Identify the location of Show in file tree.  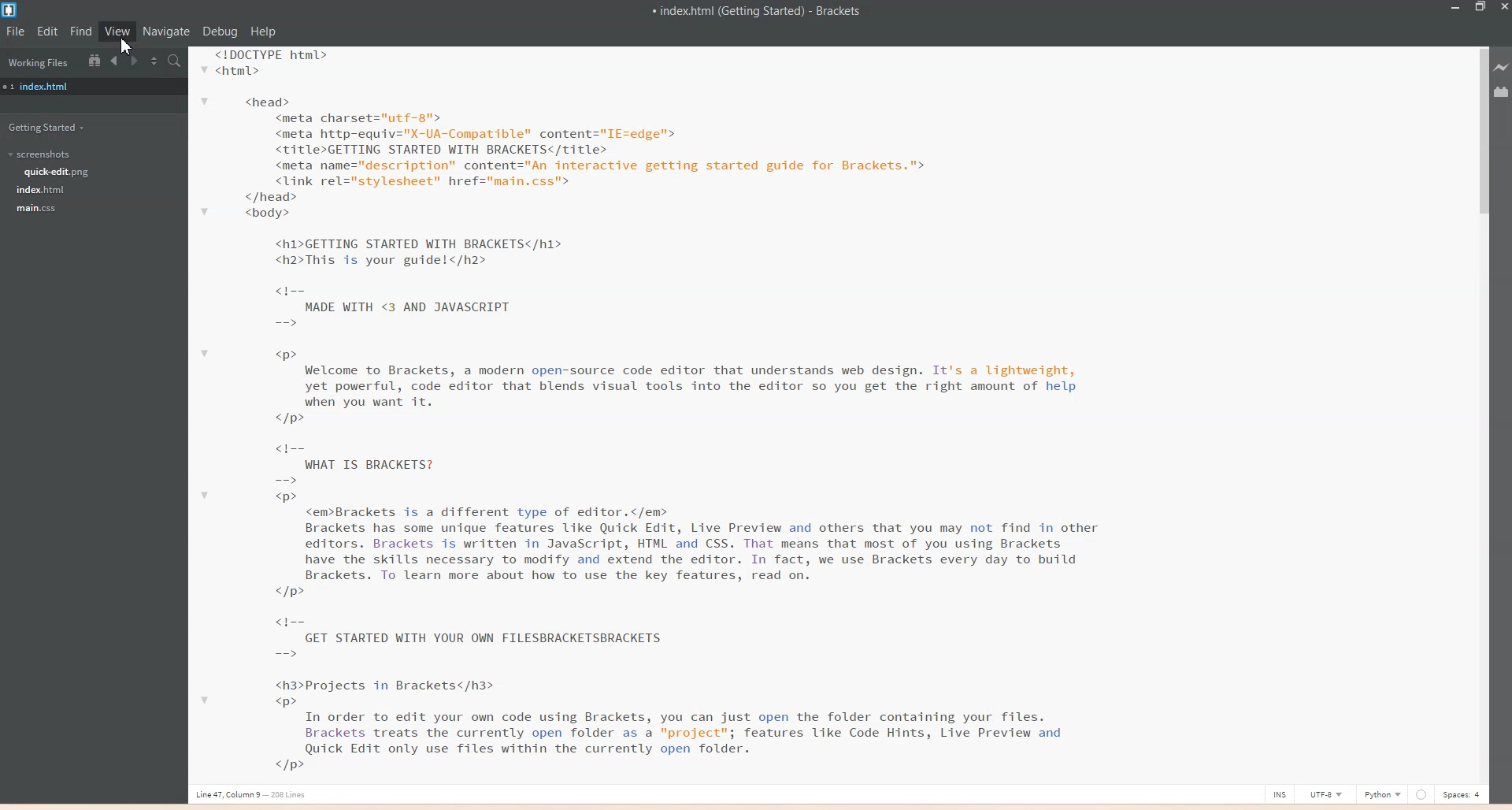
(94, 61).